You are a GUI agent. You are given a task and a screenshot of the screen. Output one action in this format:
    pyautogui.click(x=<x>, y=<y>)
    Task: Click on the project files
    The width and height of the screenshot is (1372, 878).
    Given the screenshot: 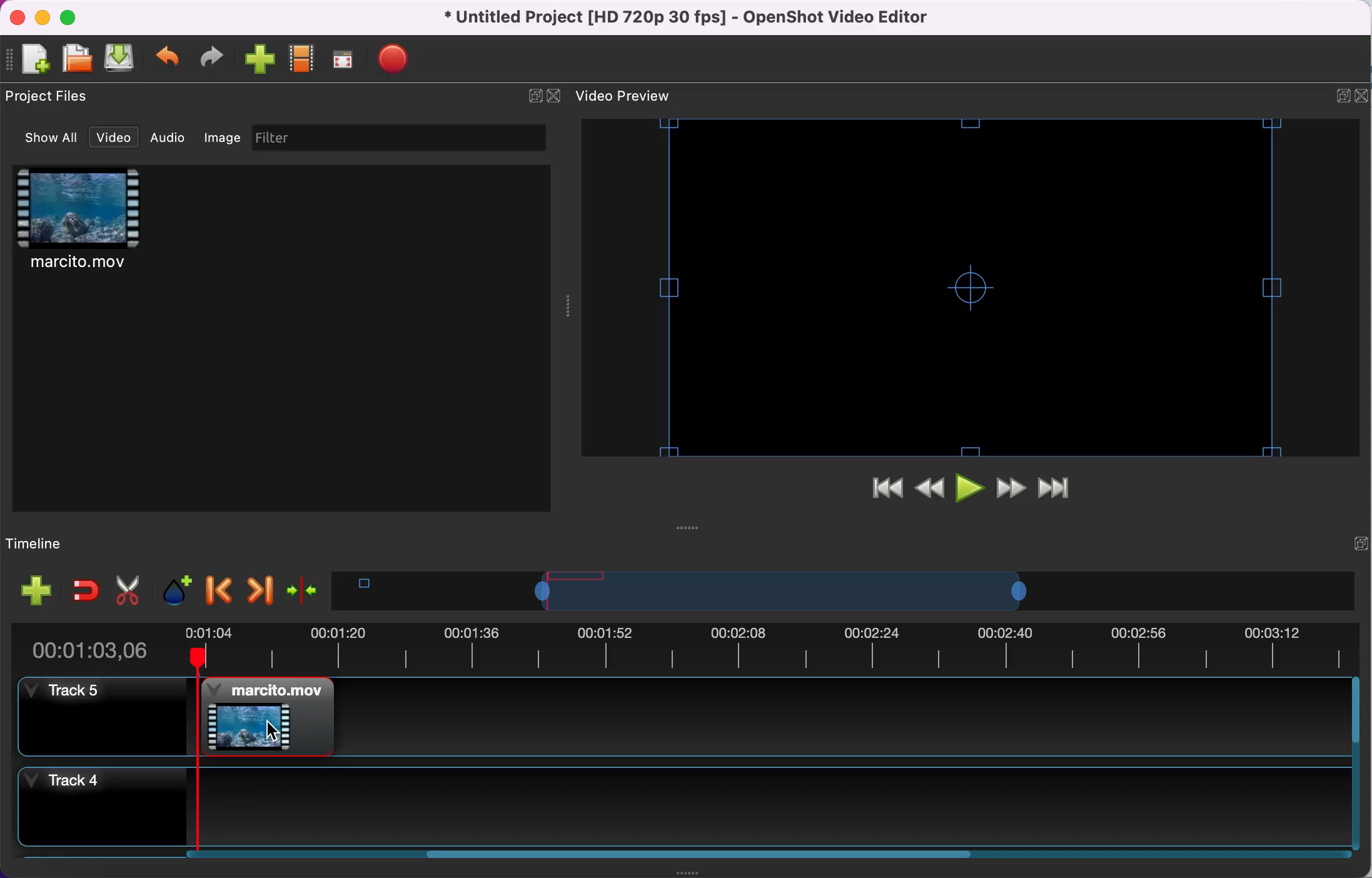 What is the action you would take?
    pyautogui.click(x=51, y=99)
    